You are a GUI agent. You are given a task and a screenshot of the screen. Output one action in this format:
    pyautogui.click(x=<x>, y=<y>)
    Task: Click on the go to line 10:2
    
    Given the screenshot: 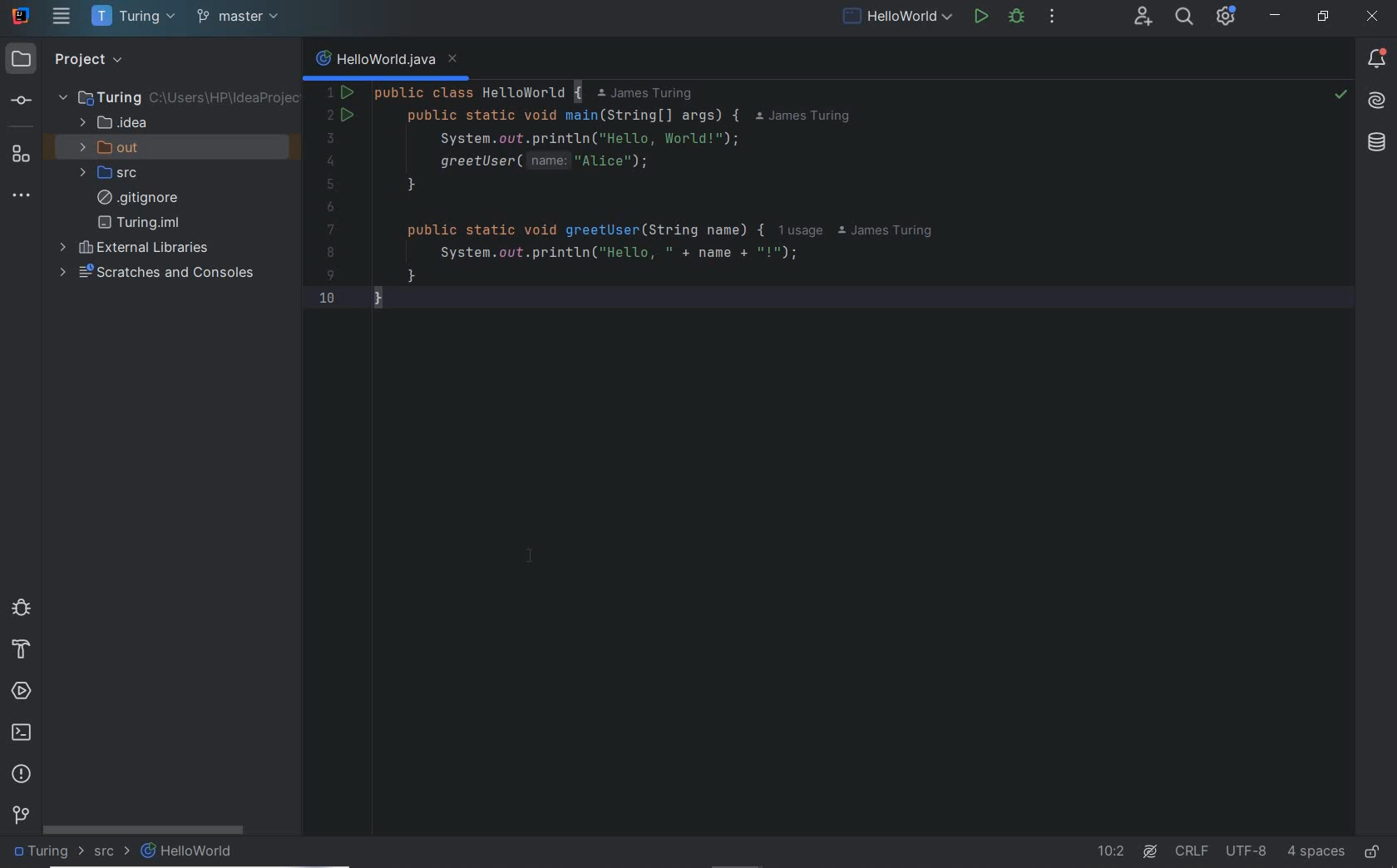 What is the action you would take?
    pyautogui.click(x=1111, y=851)
    